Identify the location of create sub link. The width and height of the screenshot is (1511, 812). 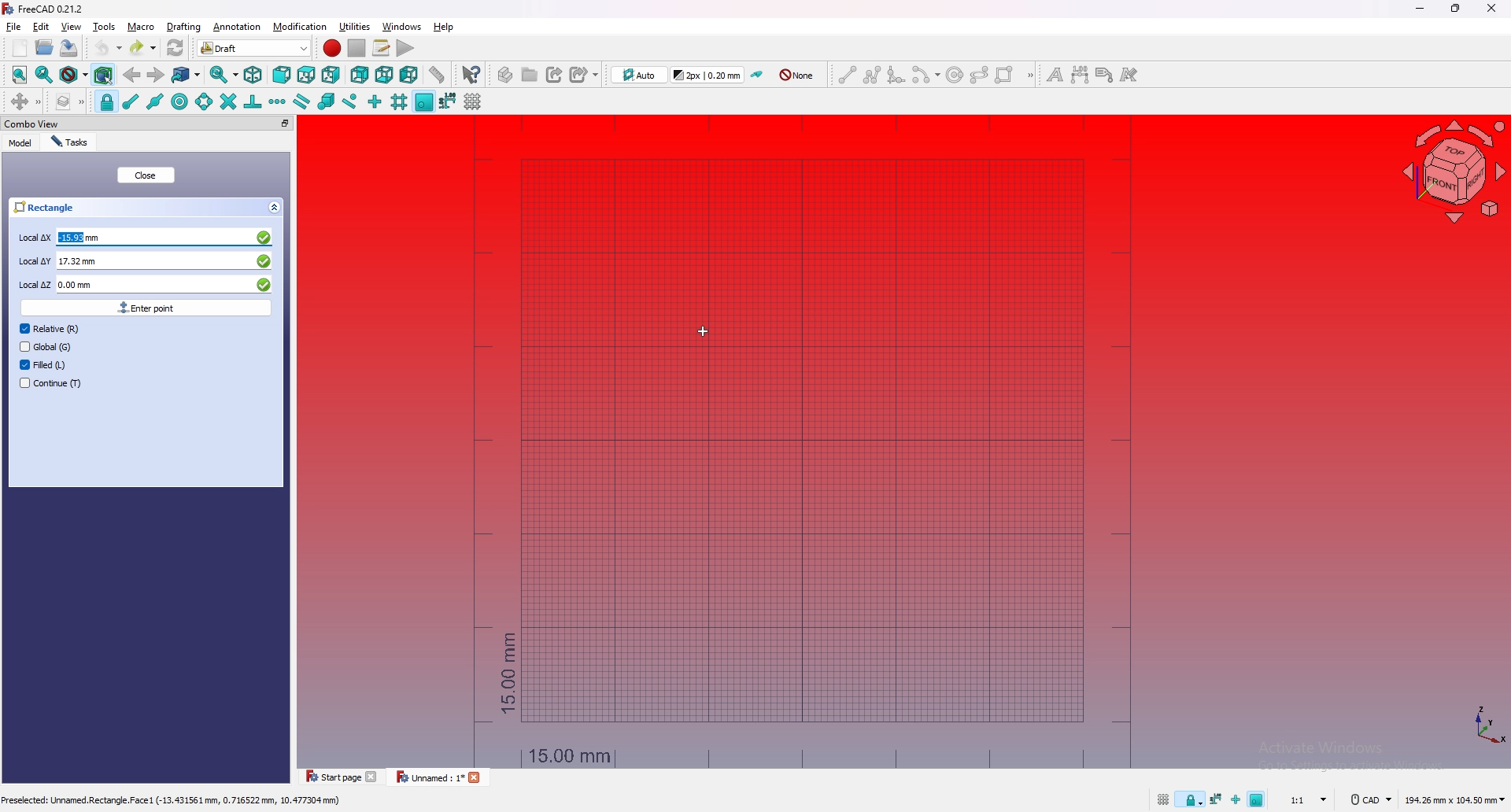
(583, 74).